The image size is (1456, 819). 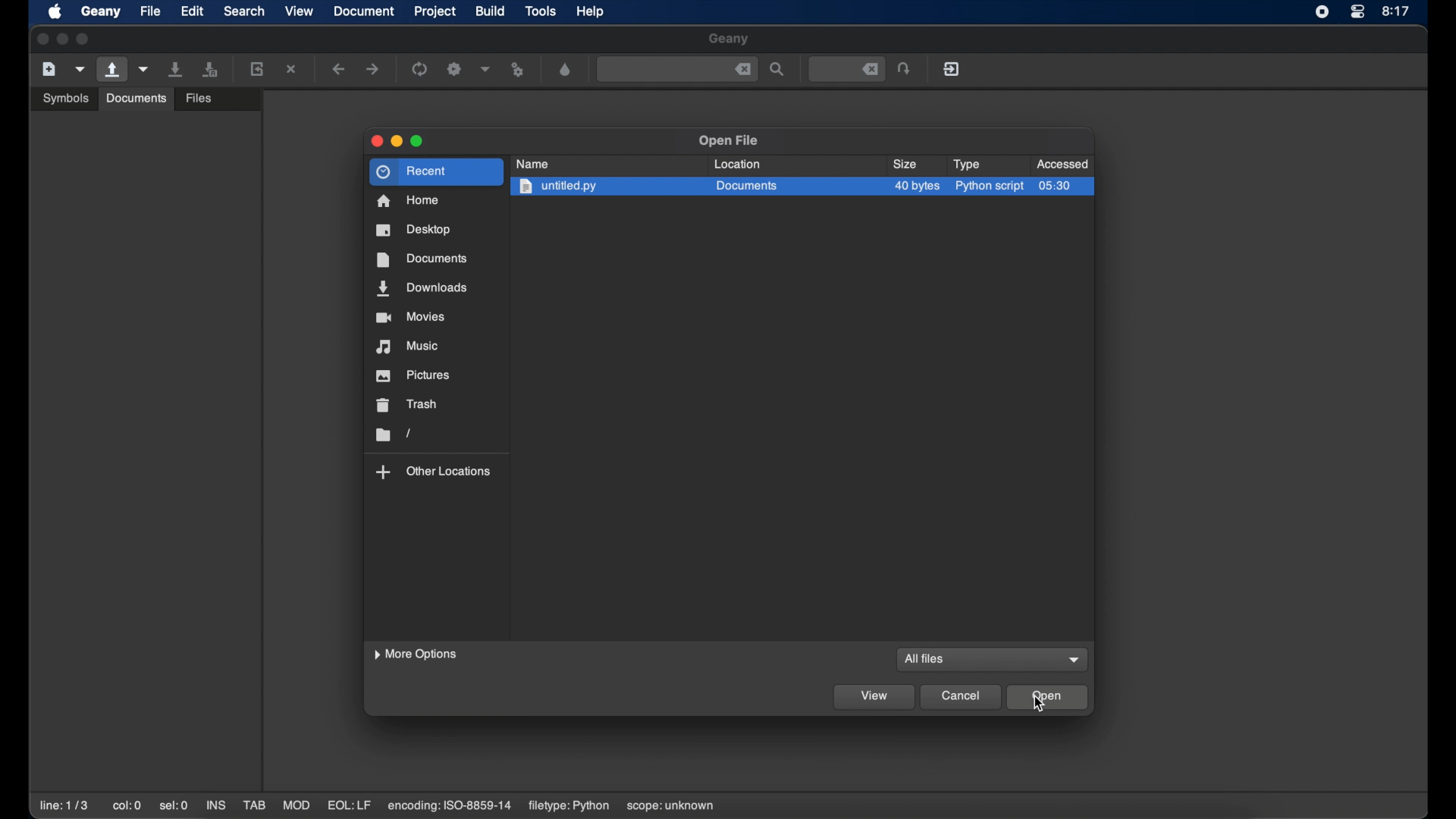 What do you see at coordinates (1397, 11) in the screenshot?
I see `time` at bounding box center [1397, 11].